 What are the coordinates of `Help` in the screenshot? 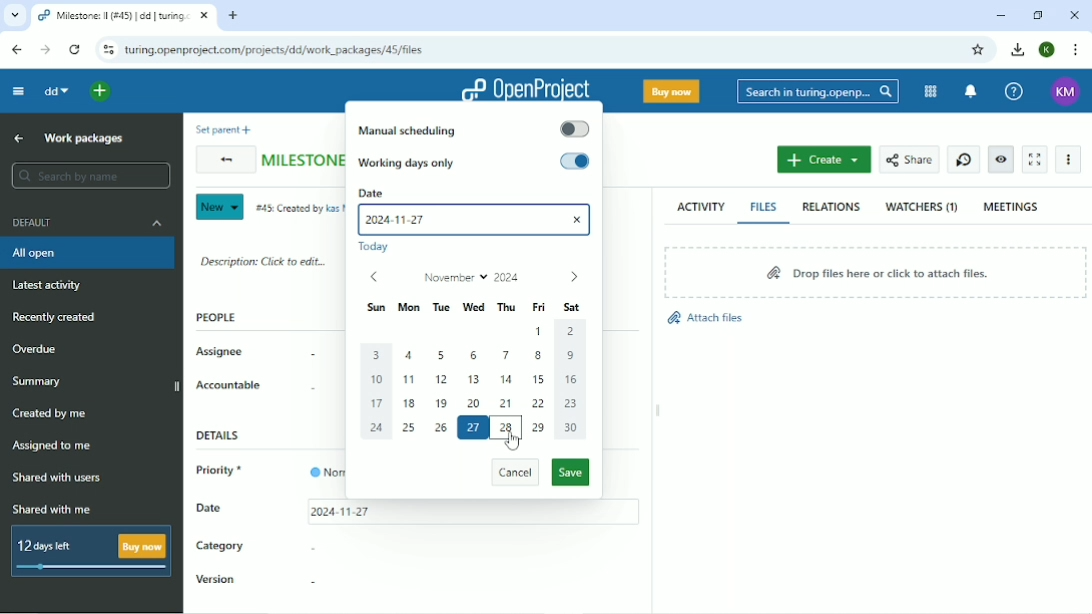 It's located at (1013, 92).